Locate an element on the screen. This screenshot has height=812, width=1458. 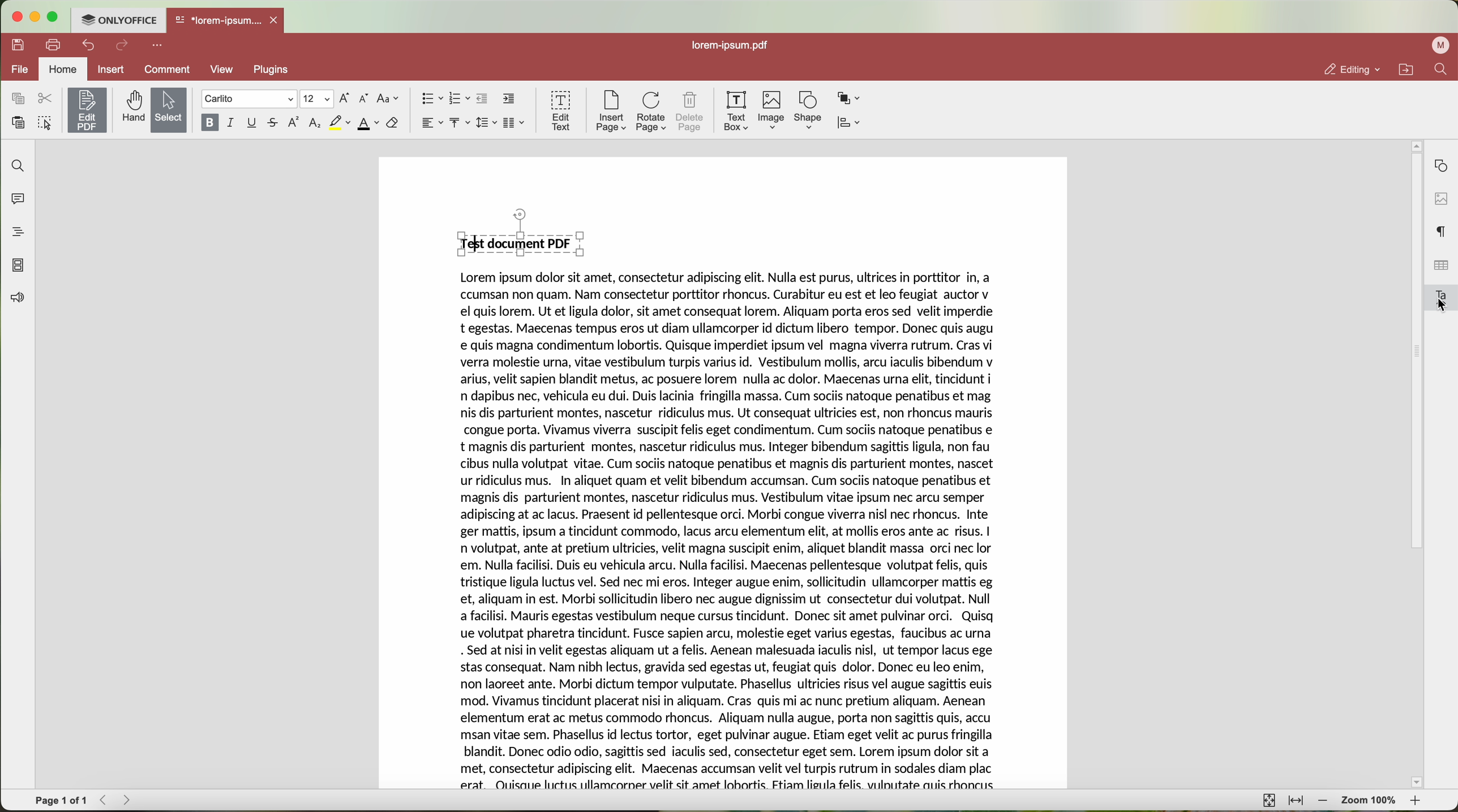
find is located at coordinates (19, 166).